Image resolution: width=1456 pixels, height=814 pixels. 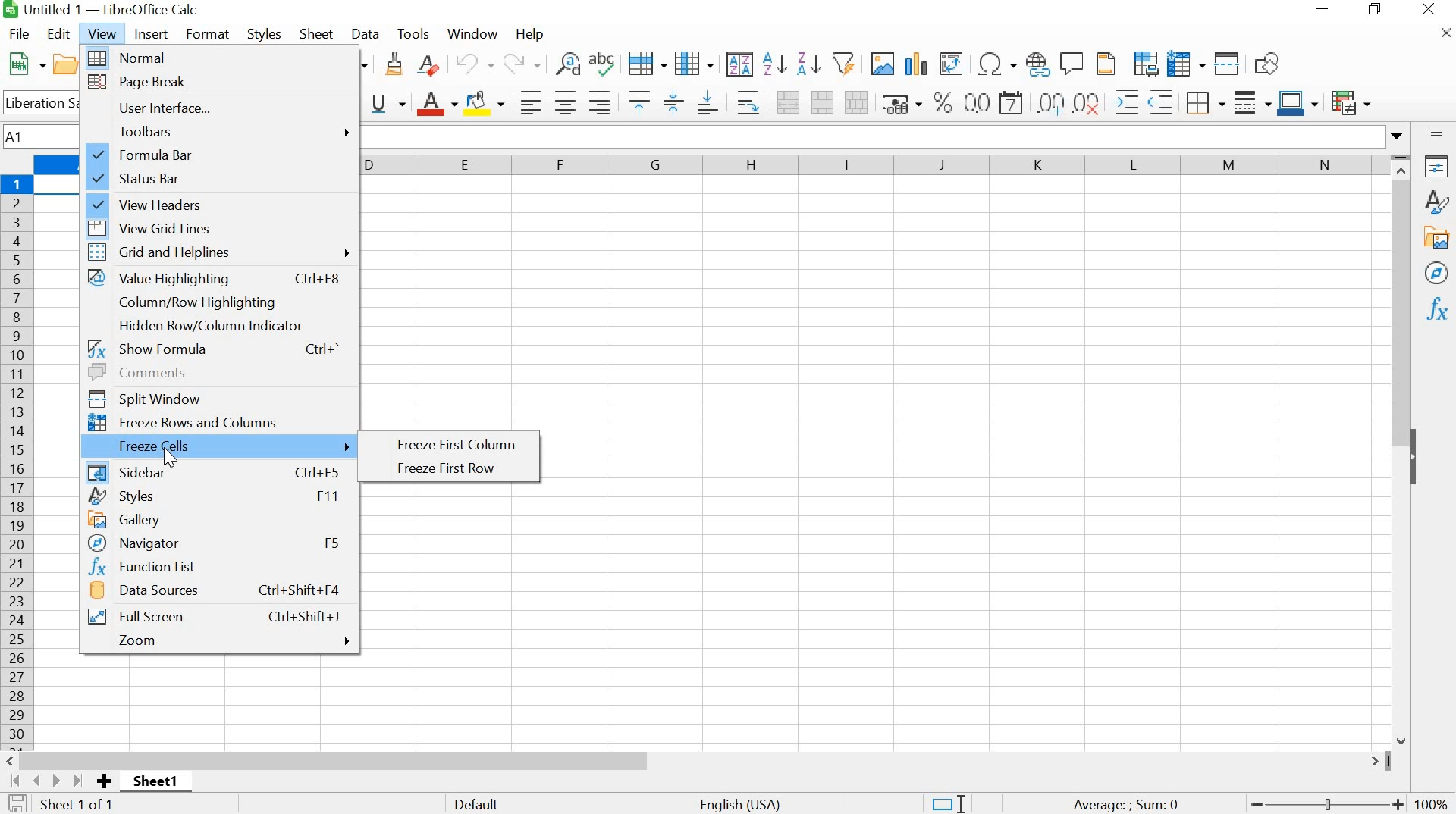 I want to click on INPUT LINE, so click(x=883, y=136).